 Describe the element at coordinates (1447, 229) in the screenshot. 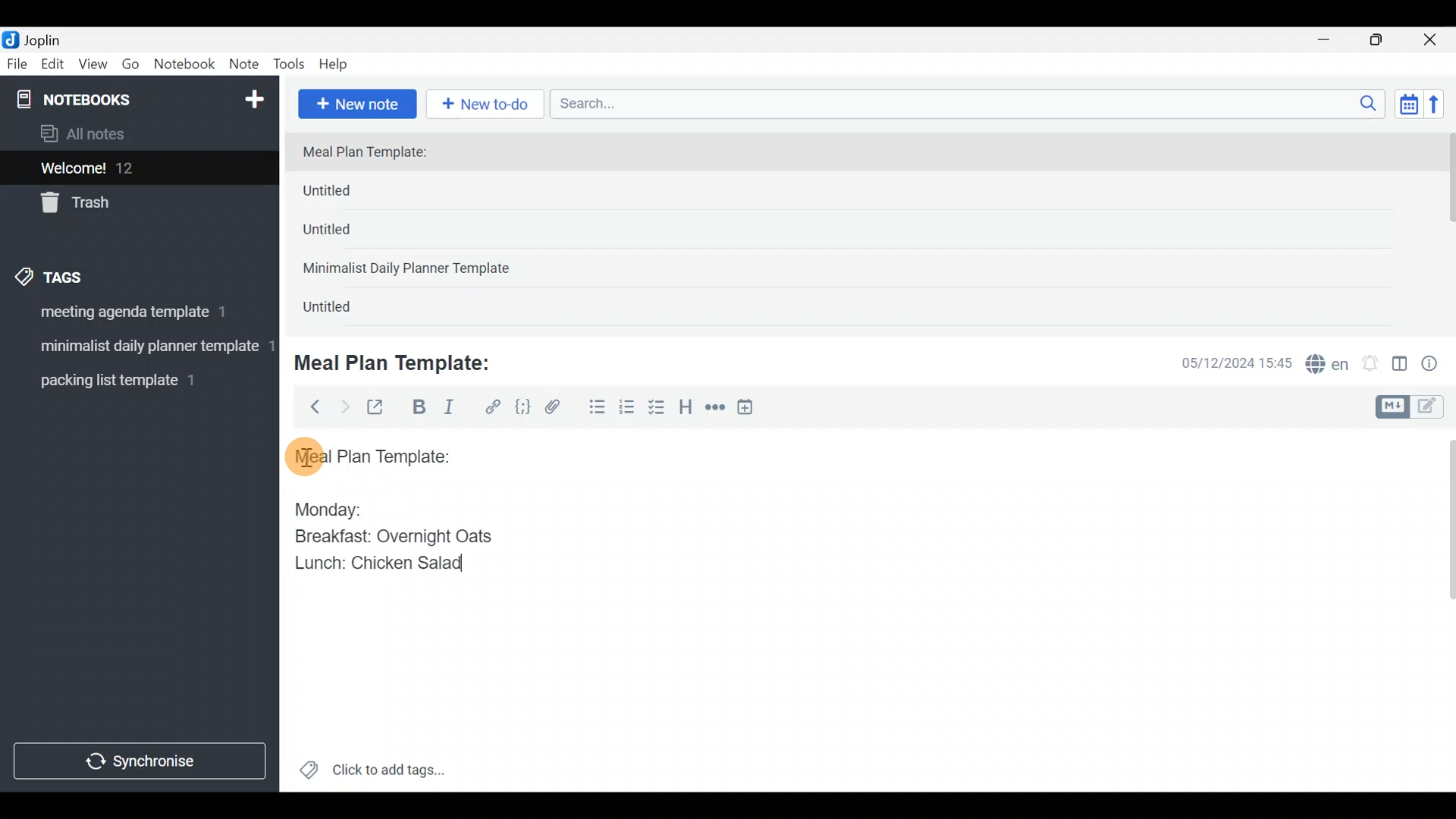

I see `Scroll bar` at that location.